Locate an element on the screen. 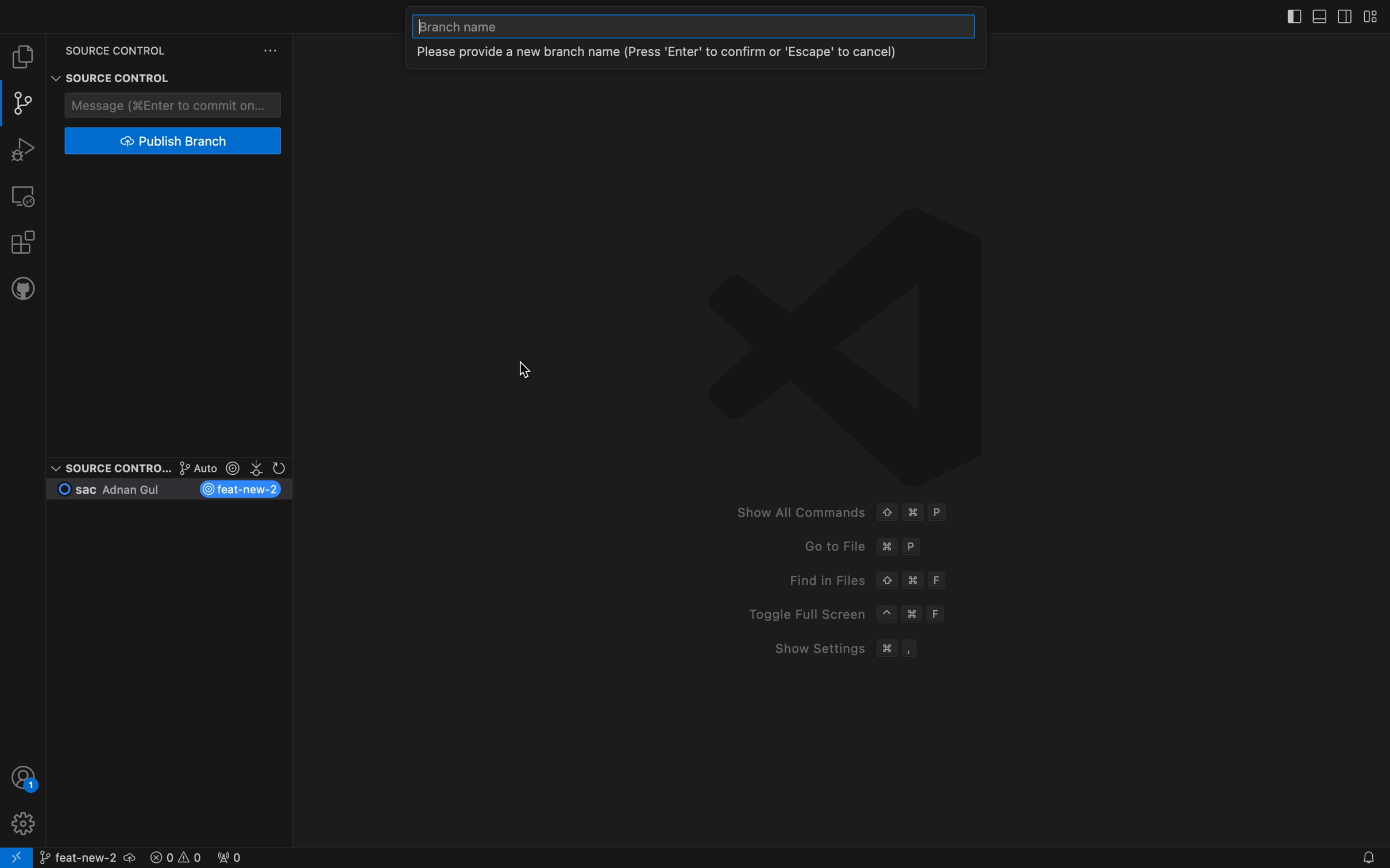 The height and width of the screenshot is (868, 1390). current branch  is located at coordinates (171, 490).